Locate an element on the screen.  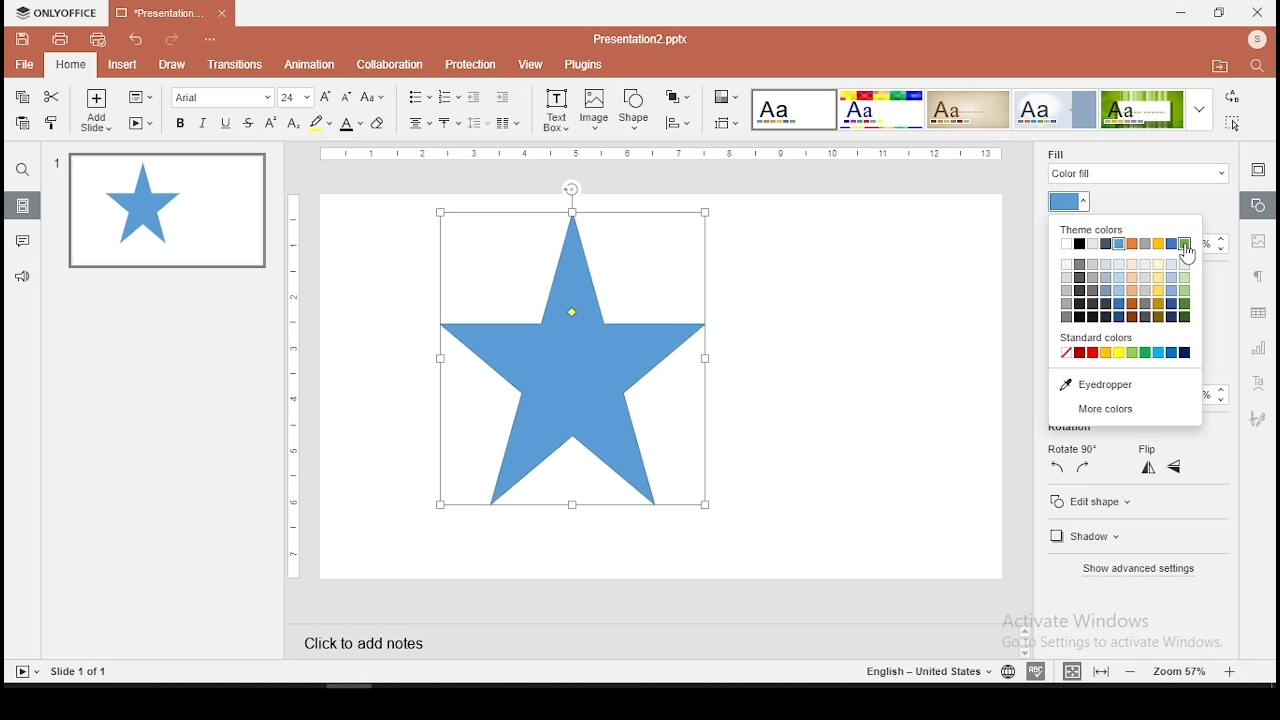
text art tool is located at coordinates (1256, 385).